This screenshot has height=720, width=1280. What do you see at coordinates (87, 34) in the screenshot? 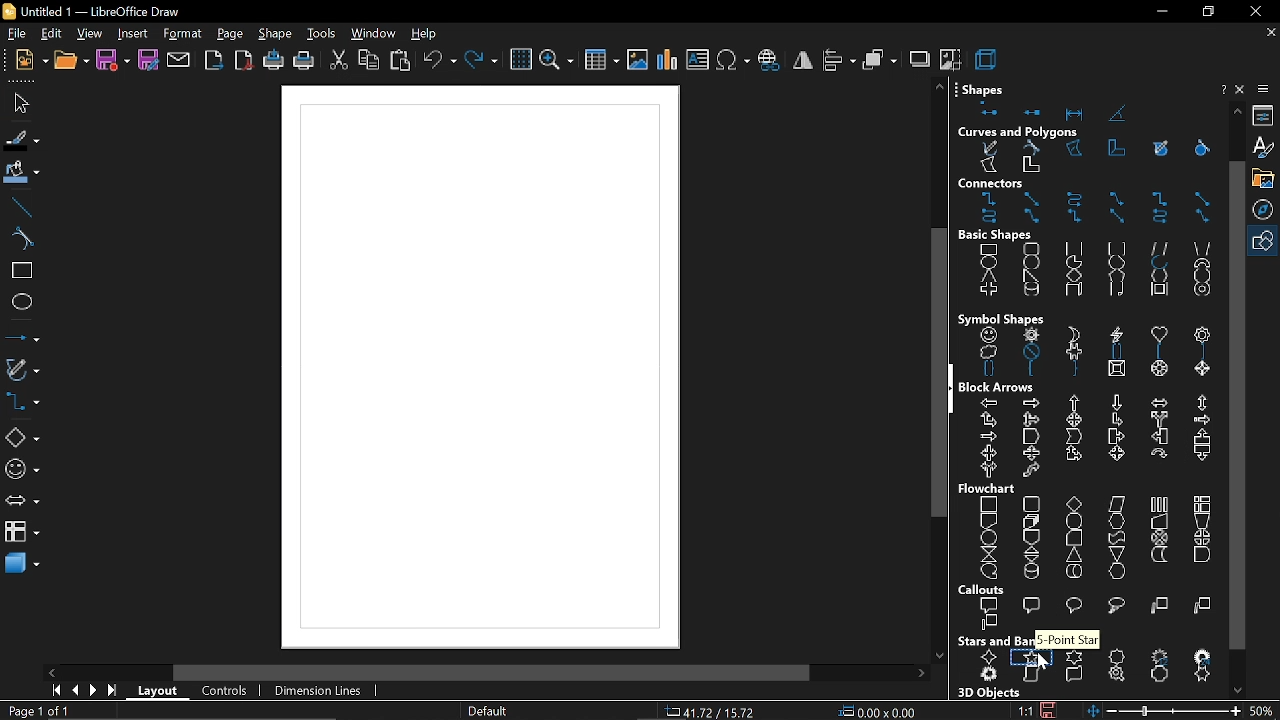
I see `view` at bounding box center [87, 34].